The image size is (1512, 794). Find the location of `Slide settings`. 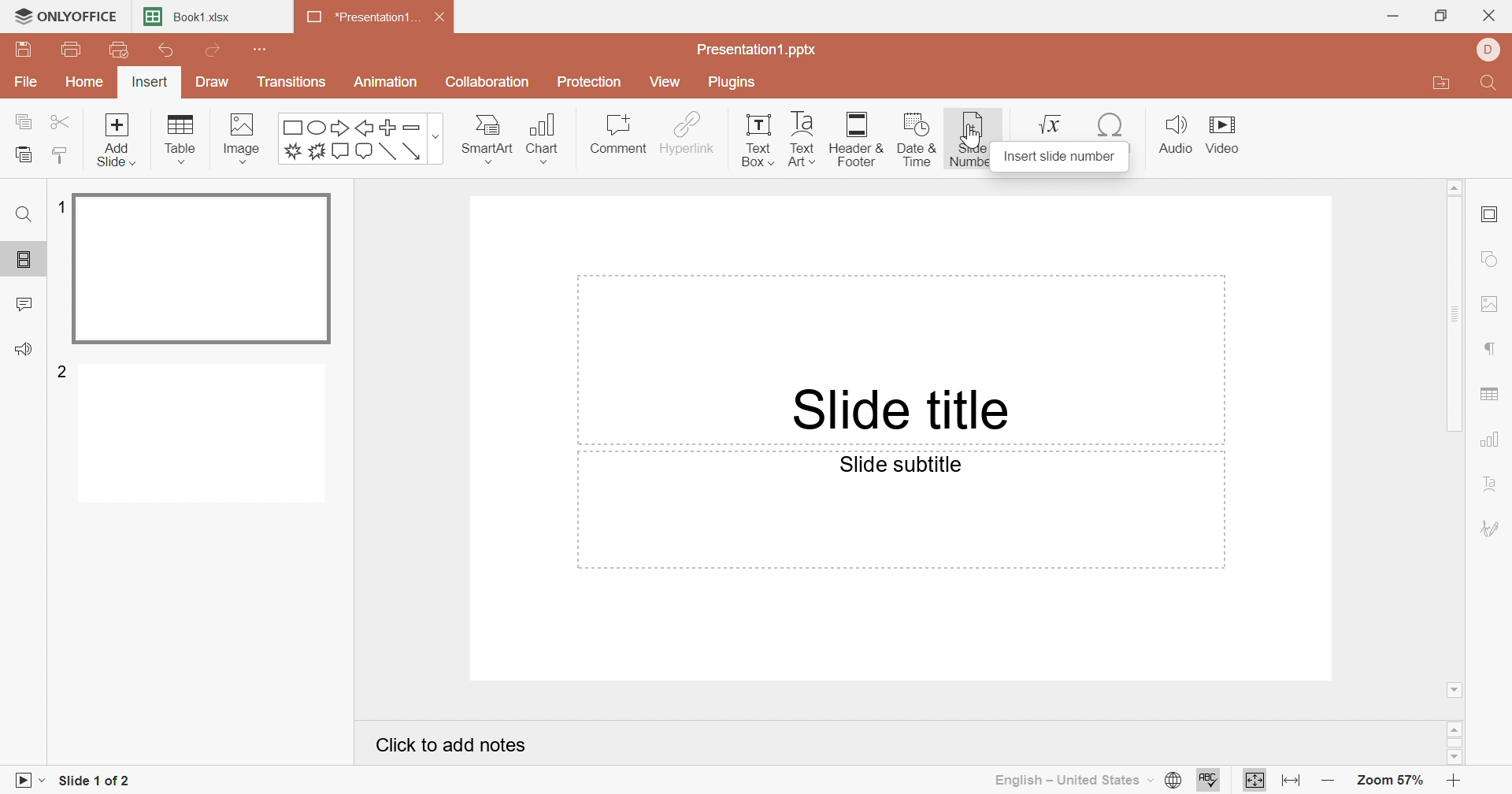

Slide settings is located at coordinates (1493, 216).